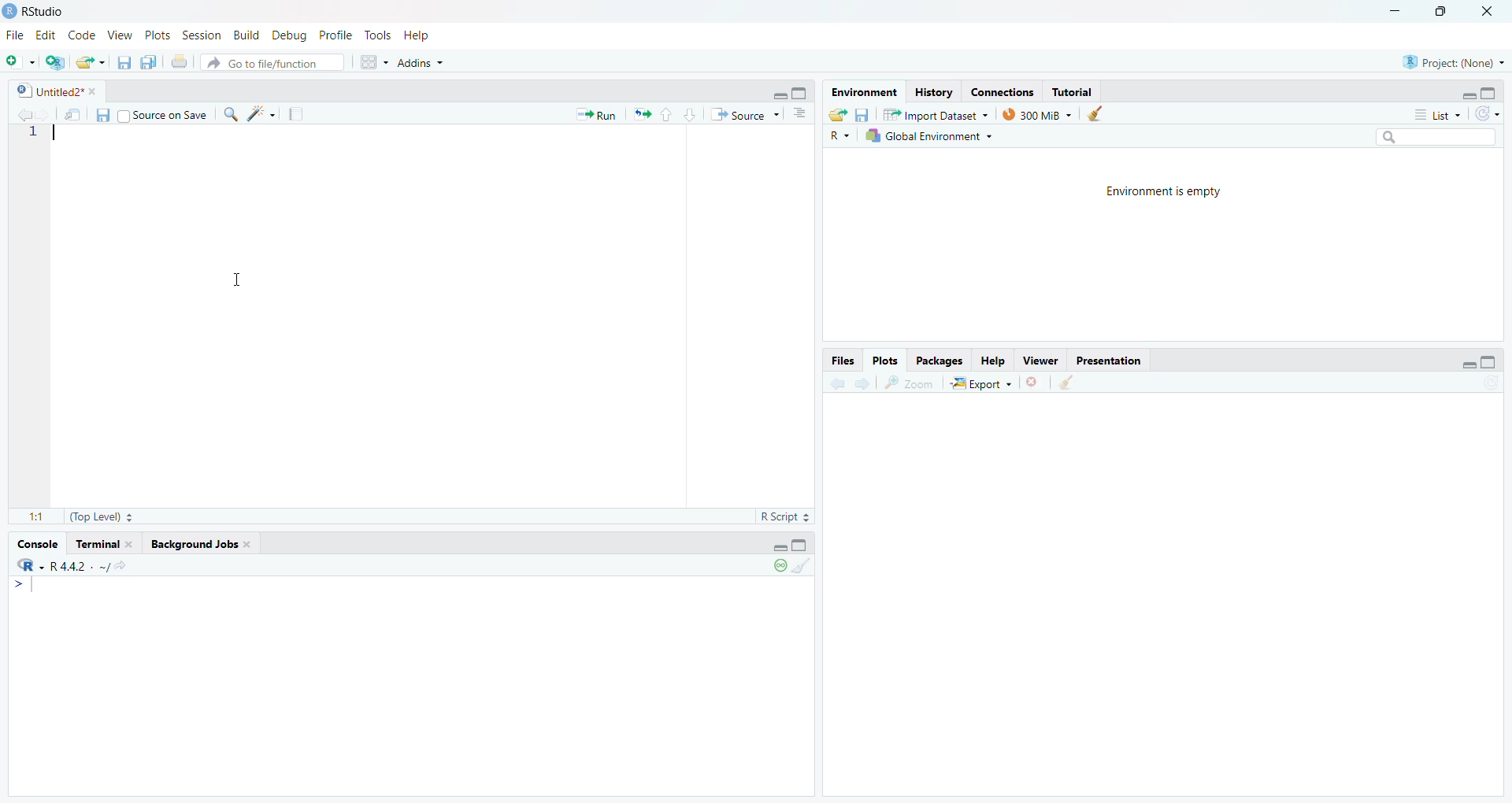  Describe the element at coordinates (124, 62) in the screenshot. I see `save current document` at that location.